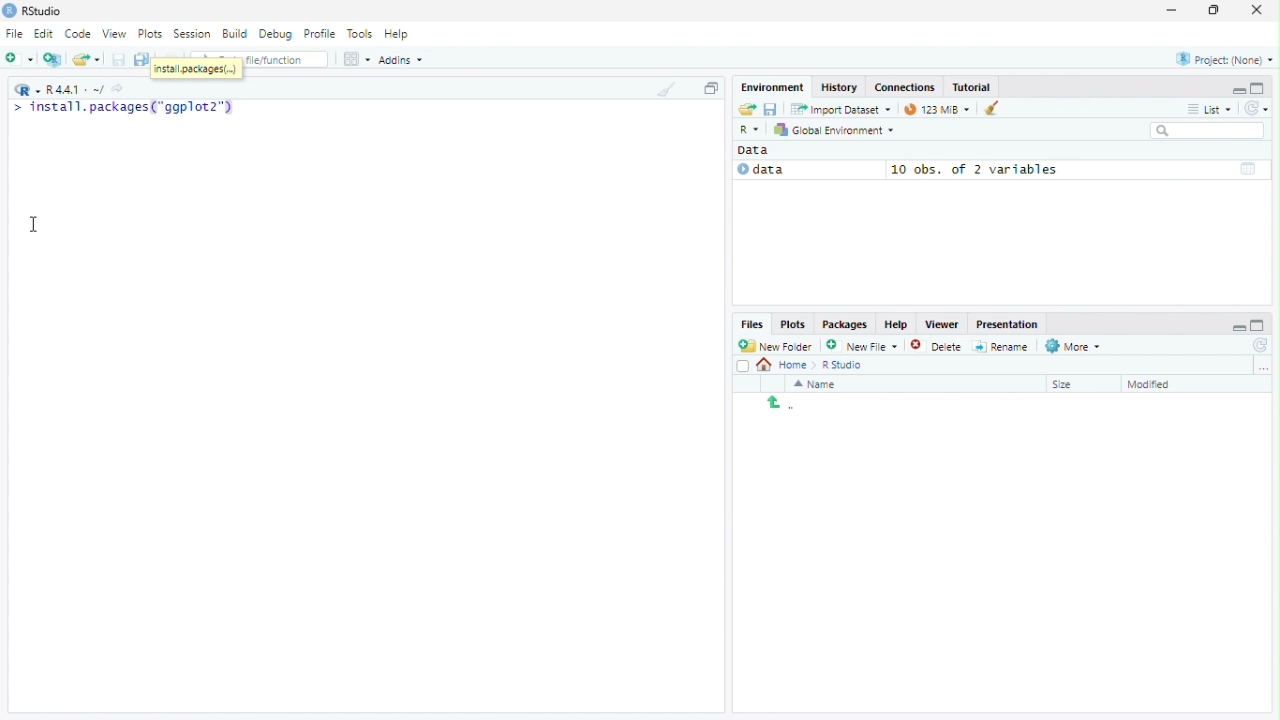  Describe the element at coordinates (1237, 323) in the screenshot. I see `minimize` at that location.